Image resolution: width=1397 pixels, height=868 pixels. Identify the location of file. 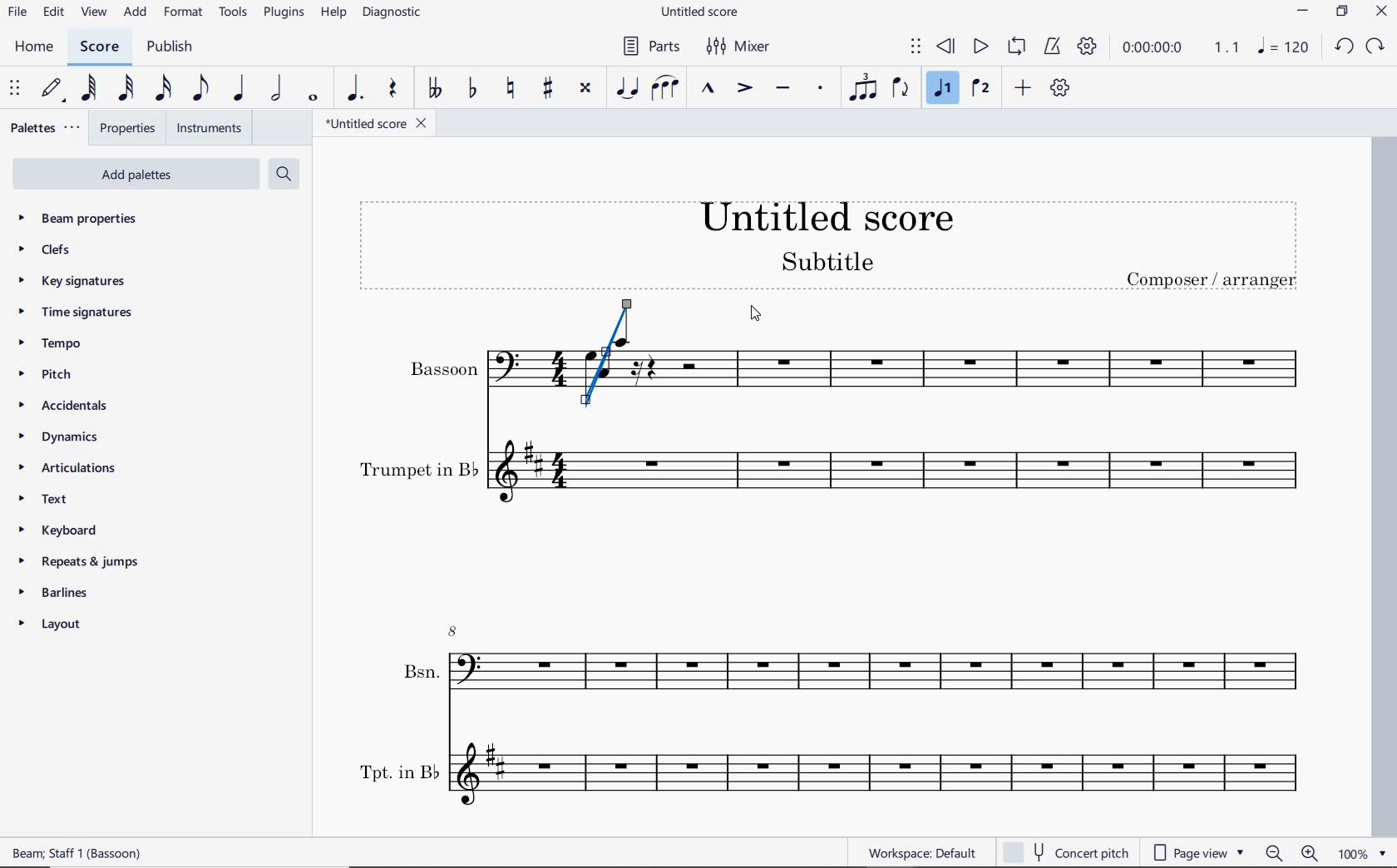
(17, 13).